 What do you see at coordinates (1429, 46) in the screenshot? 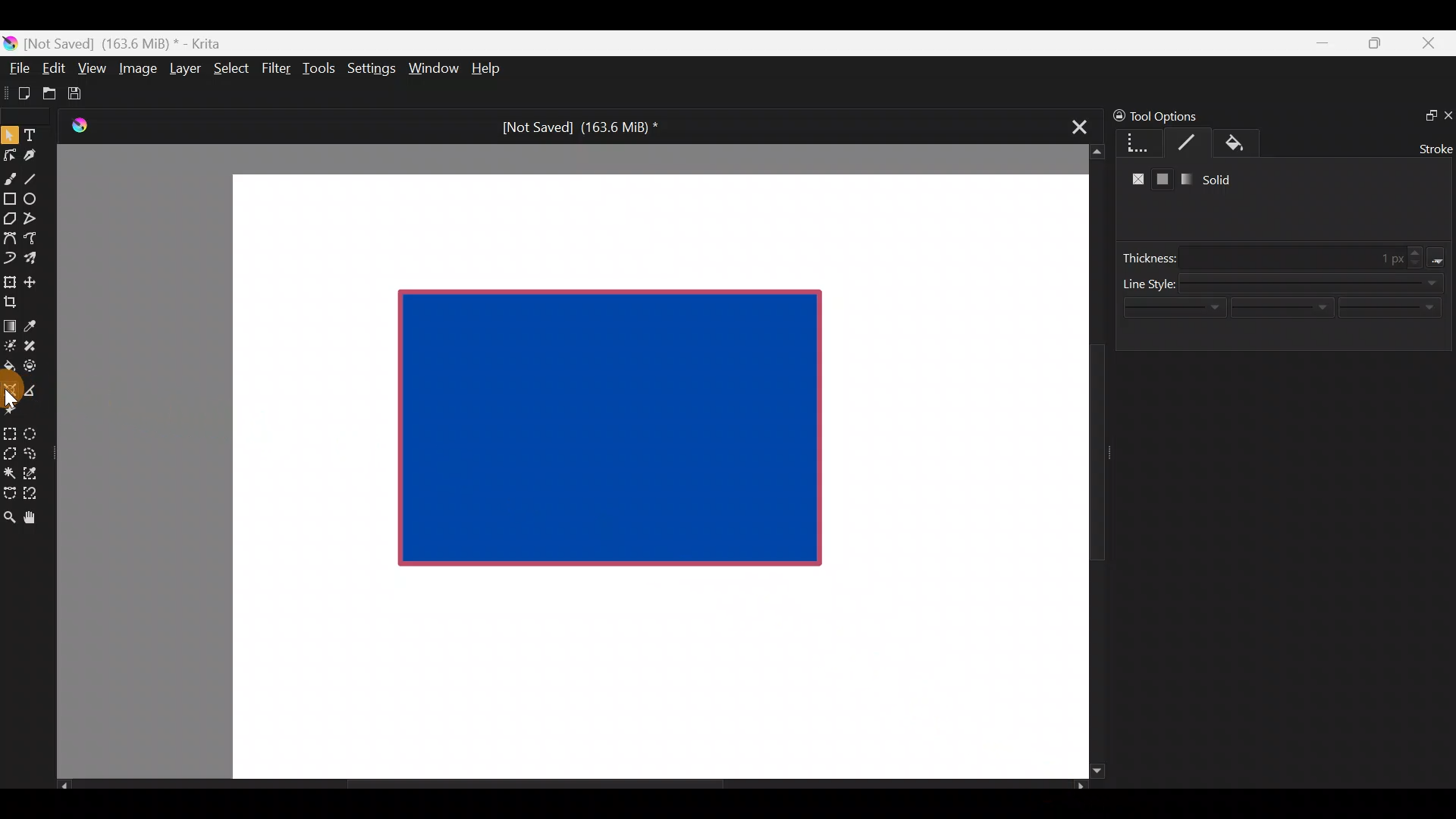
I see `Close` at bounding box center [1429, 46].